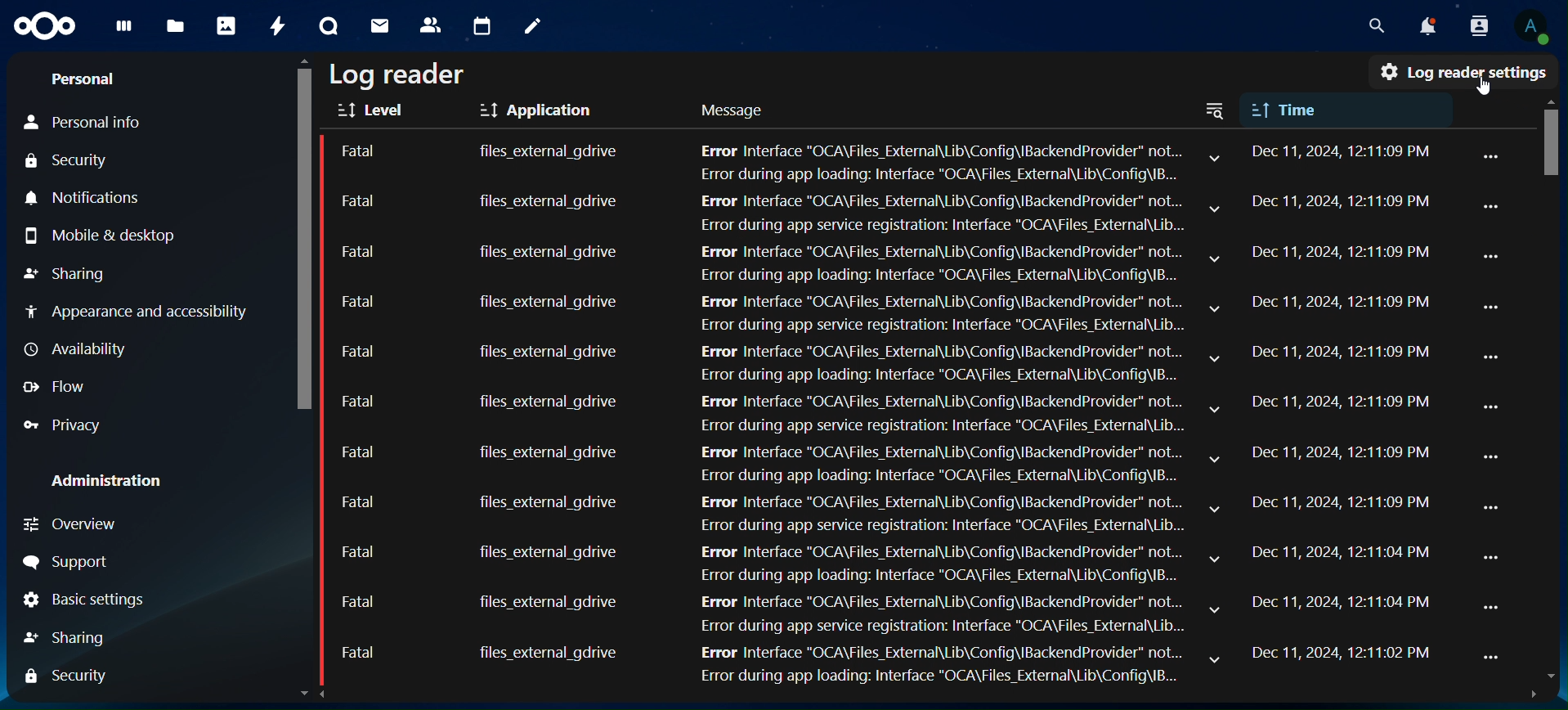 This screenshot has height=710, width=1568. I want to click on ..., so click(1494, 410).